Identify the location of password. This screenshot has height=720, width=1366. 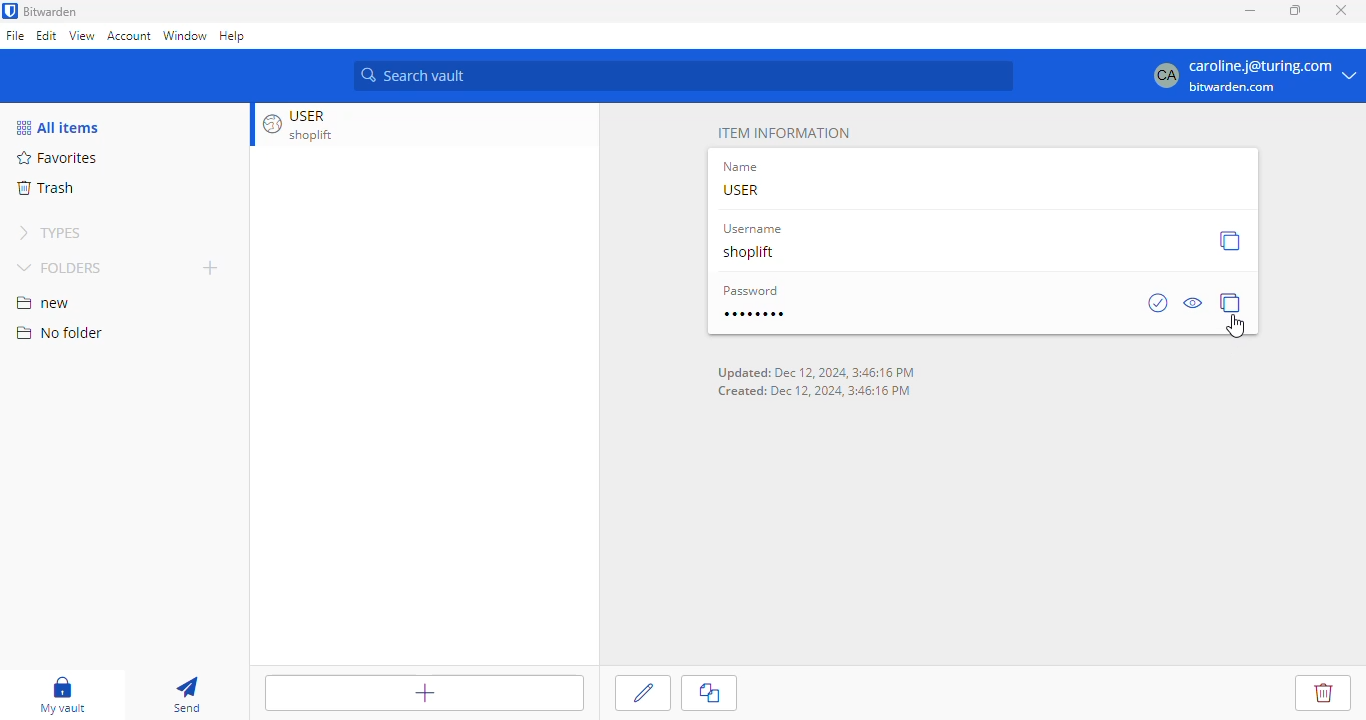
(753, 314).